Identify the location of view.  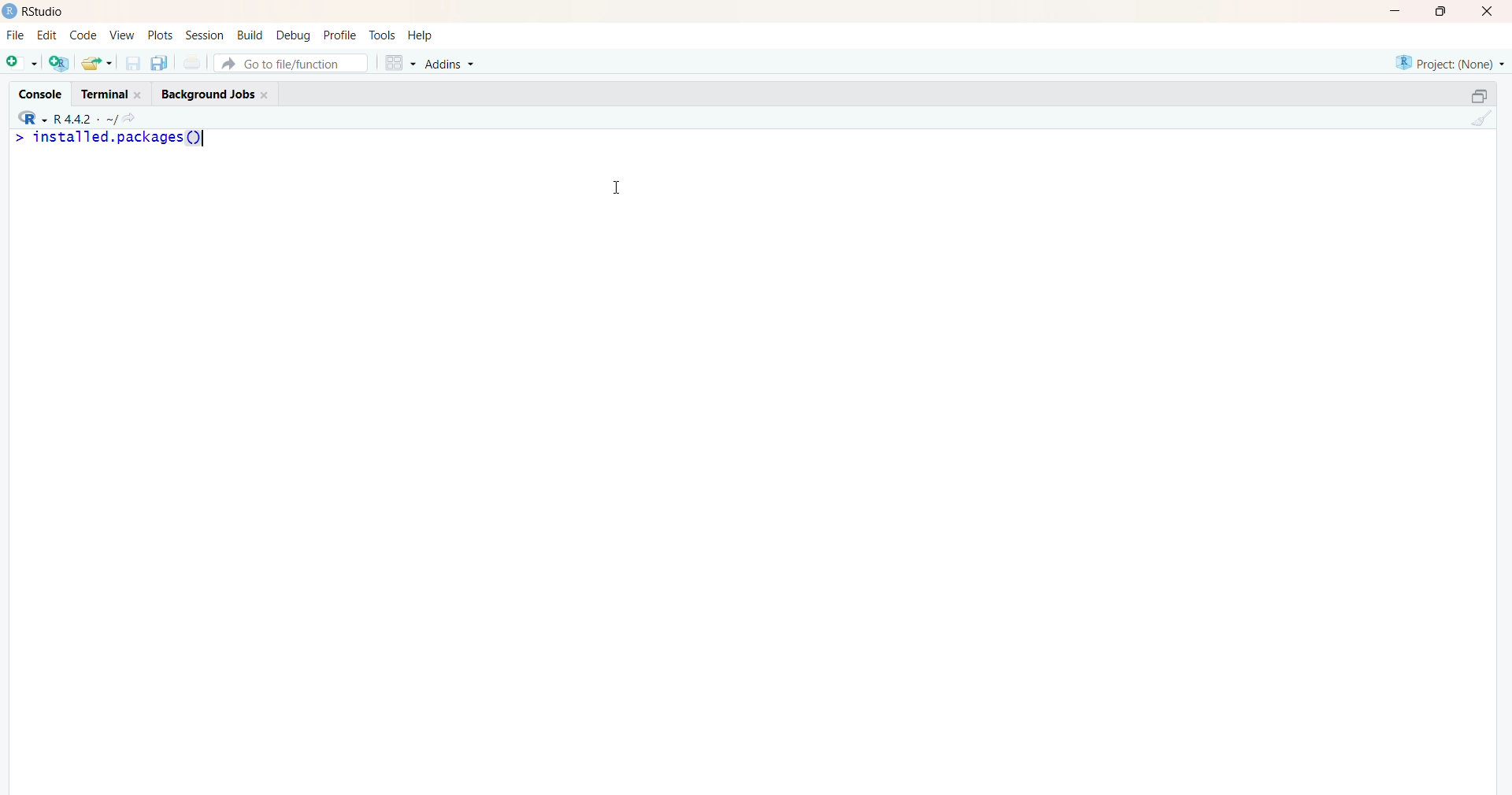
(121, 34).